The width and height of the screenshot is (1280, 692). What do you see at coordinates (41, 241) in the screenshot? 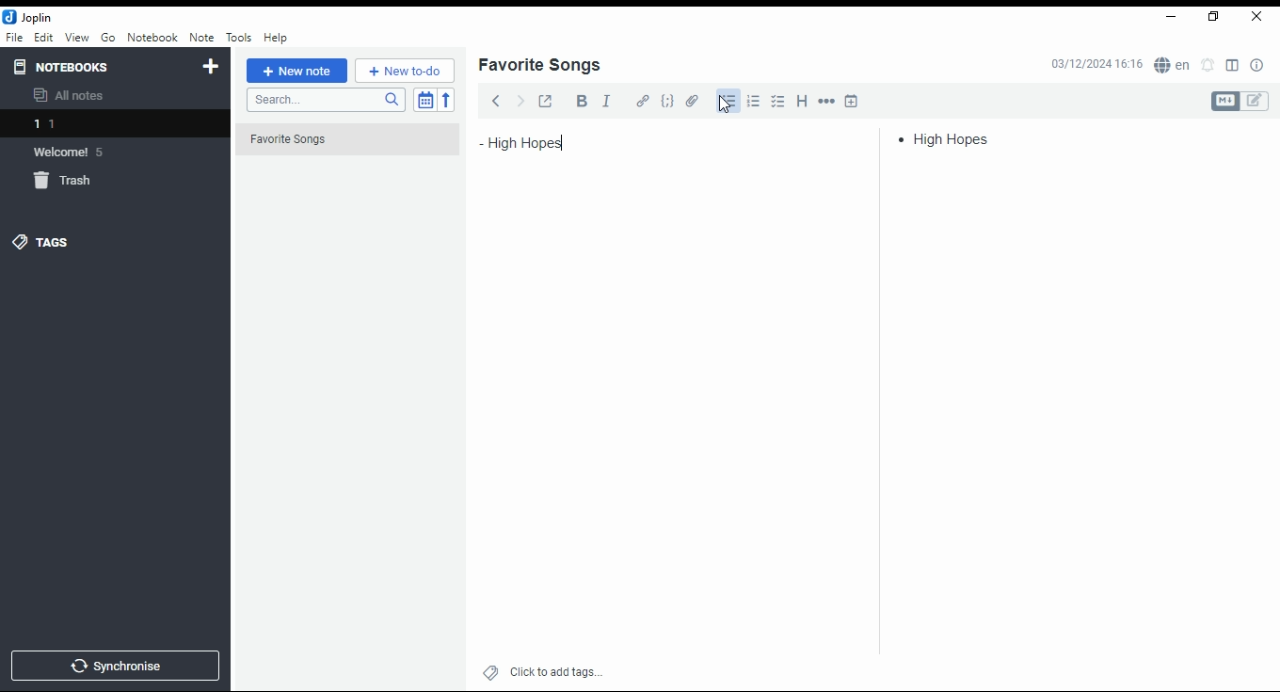
I see `tags` at bounding box center [41, 241].